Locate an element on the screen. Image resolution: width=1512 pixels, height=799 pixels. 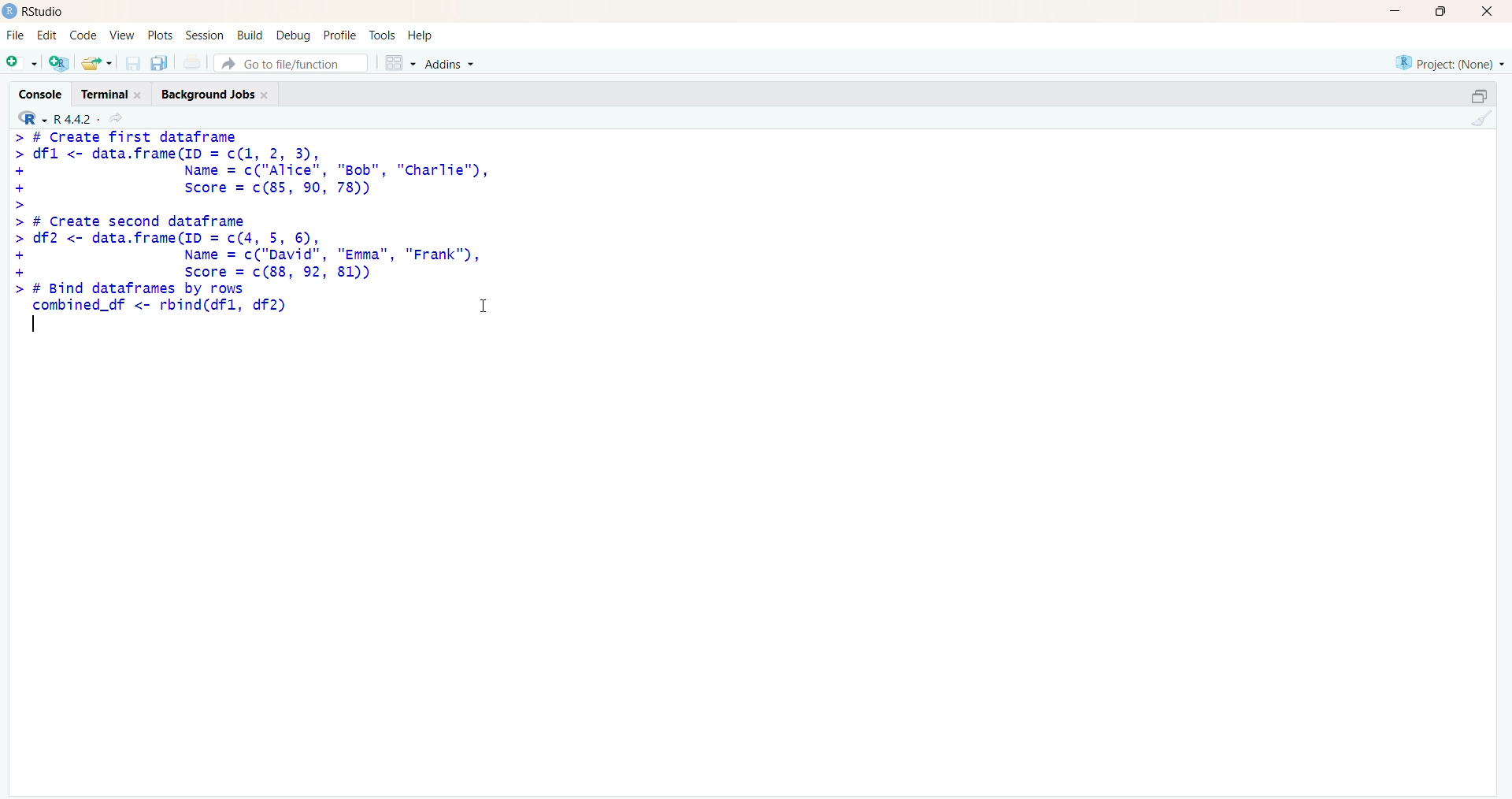
# Create Tirst datatramedfl <- data.frame(ID = c(1, 2, 3),Name = c("Alice", "Bob", "Charlie"),Score = c(85, 90, 78))# Create second dataframedf2 <- data.frame(ID = c(4, 5, 6),Name = c("David", "Emma", "Frank"),Score = c(88, 92, 81)) is located at coordinates (255, 205).